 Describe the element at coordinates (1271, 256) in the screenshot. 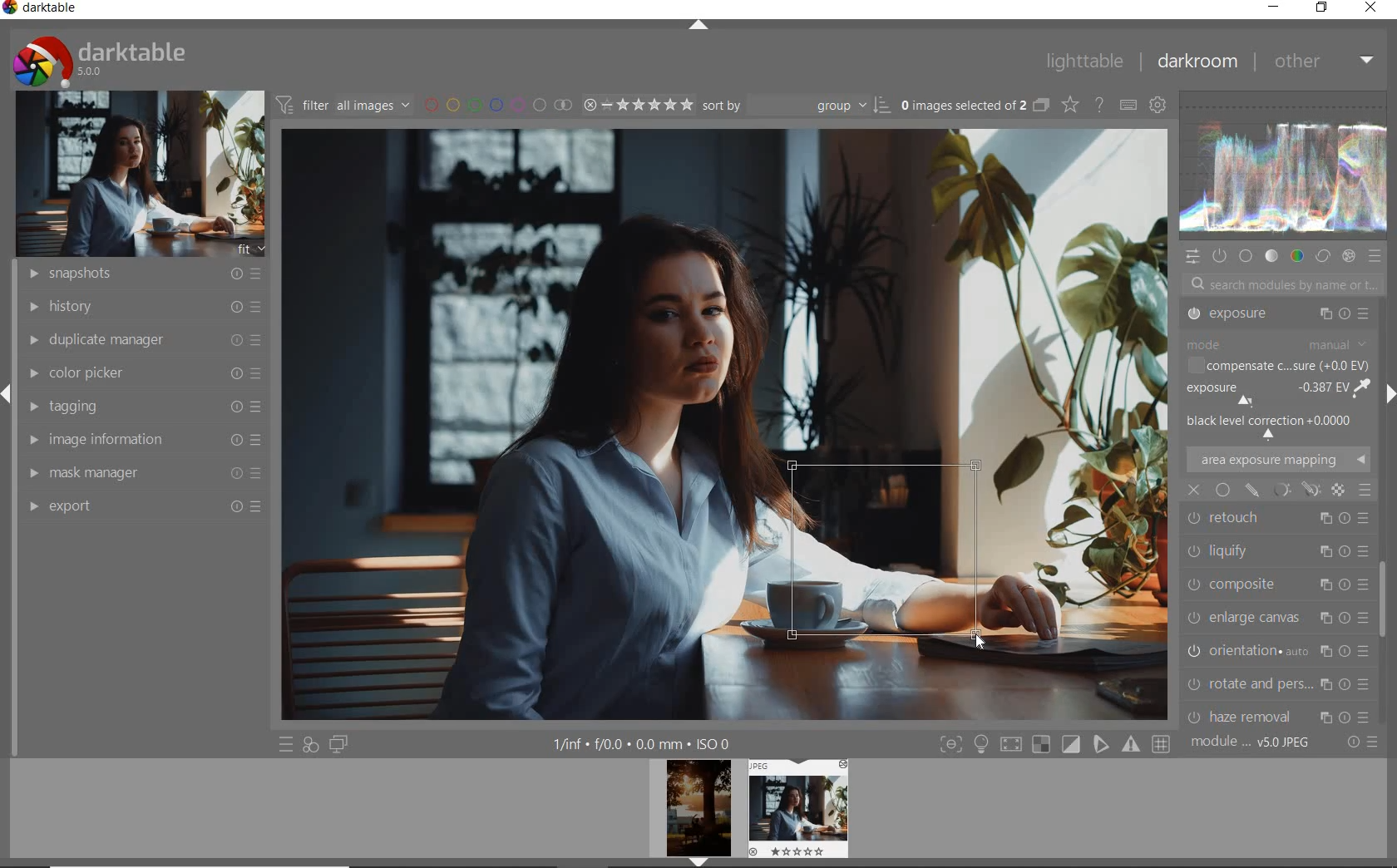

I see `TONE` at that location.